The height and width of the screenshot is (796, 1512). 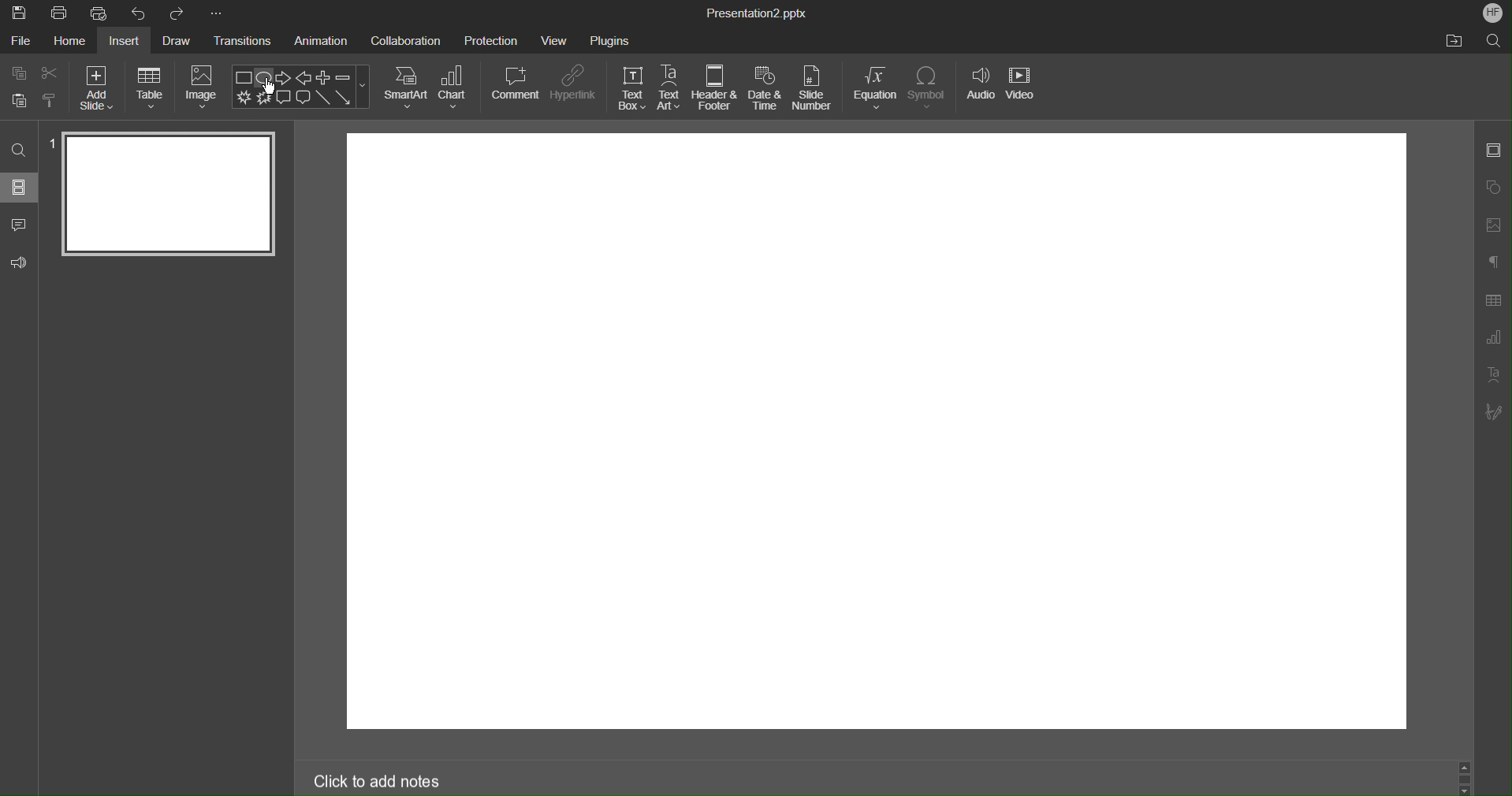 What do you see at coordinates (556, 40) in the screenshot?
I see `View` at bounding box center [556, 40].